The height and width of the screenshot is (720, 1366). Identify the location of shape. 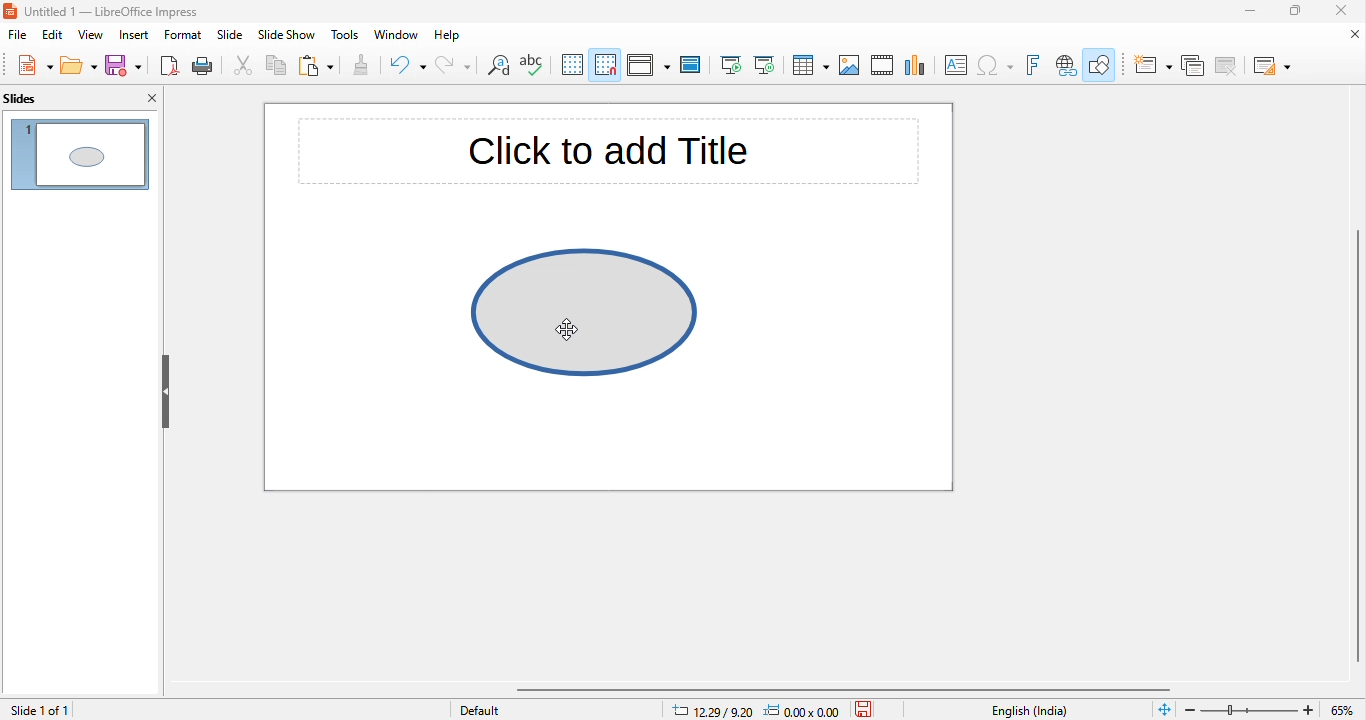
(594, 323).